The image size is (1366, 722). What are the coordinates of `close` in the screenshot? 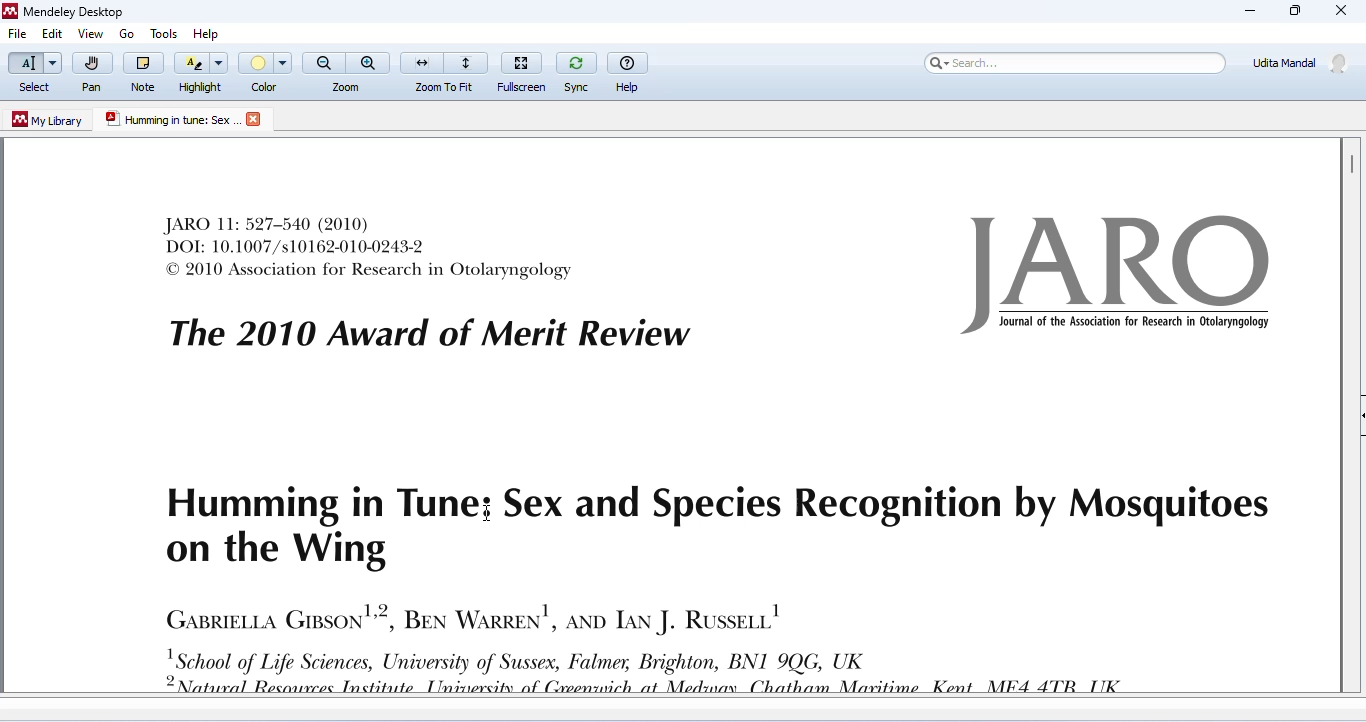 It's located at (256, 119).